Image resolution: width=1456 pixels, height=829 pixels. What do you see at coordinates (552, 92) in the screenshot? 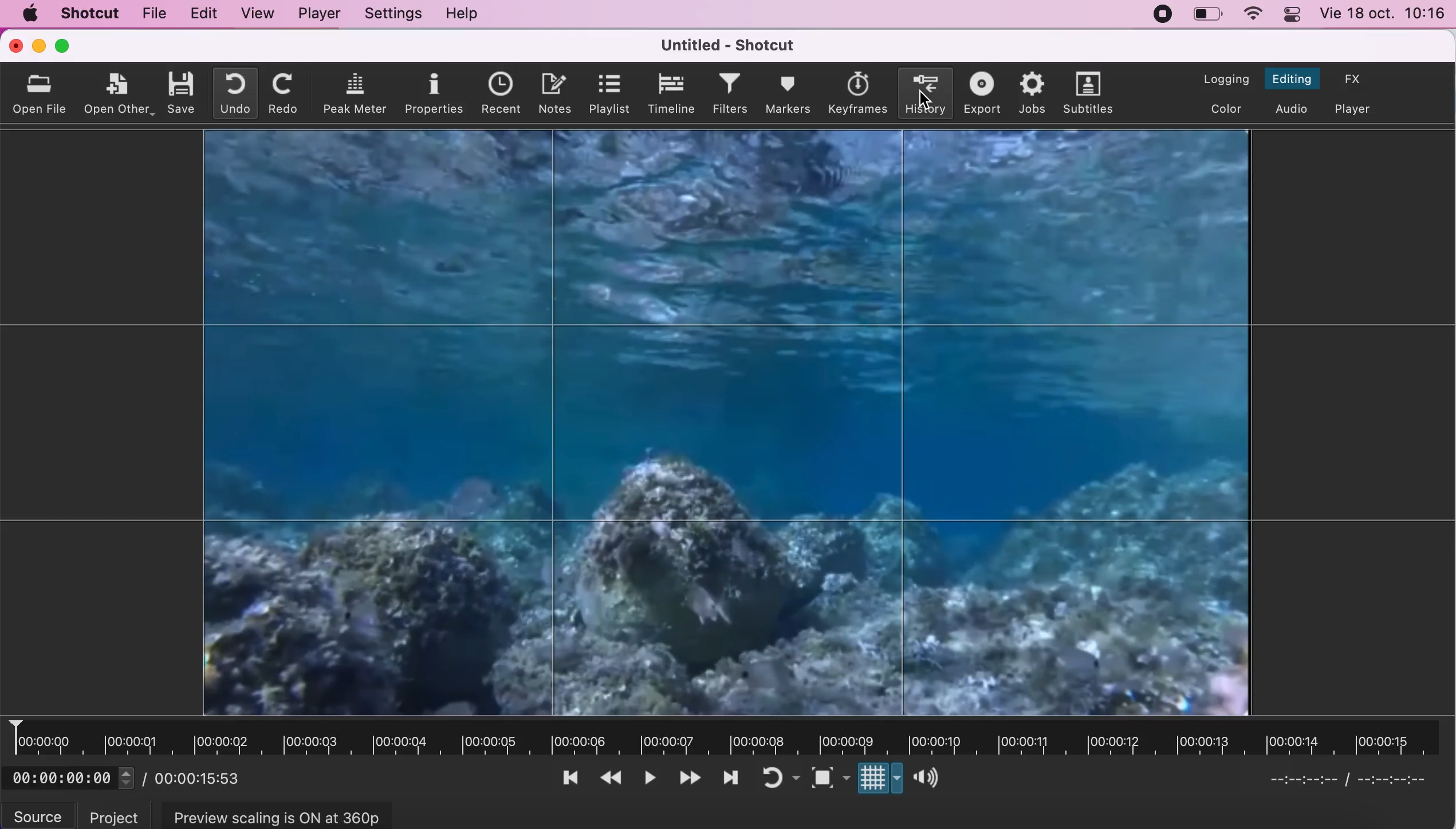
I see `notes` at bounding box center [552, 92].